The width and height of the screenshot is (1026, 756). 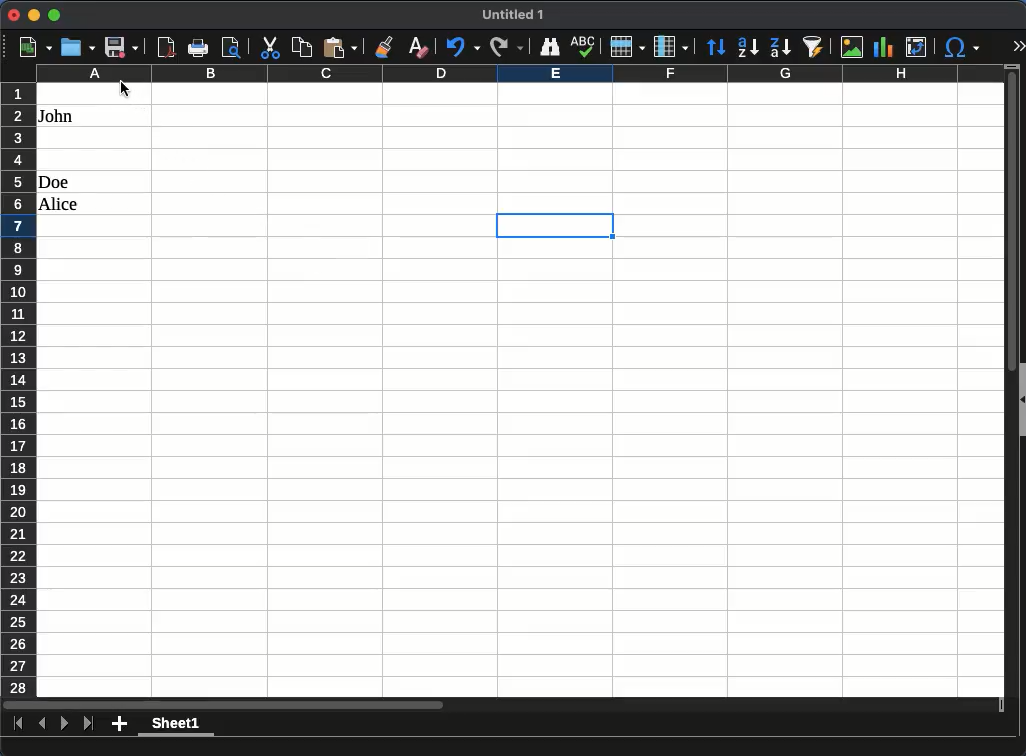 I want to click on image, so click(x=852, y=46).